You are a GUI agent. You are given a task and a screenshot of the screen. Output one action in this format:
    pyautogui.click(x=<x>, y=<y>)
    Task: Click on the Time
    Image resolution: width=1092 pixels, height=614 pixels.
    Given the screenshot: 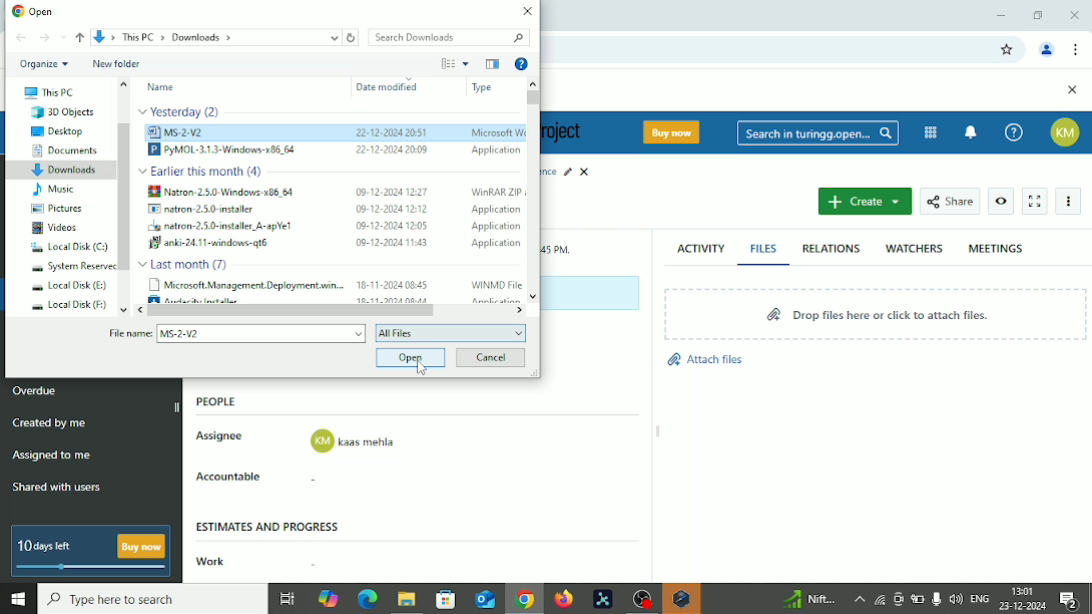 What is the action you would take?
    pyautogui.click(x=1024, y=589)
    